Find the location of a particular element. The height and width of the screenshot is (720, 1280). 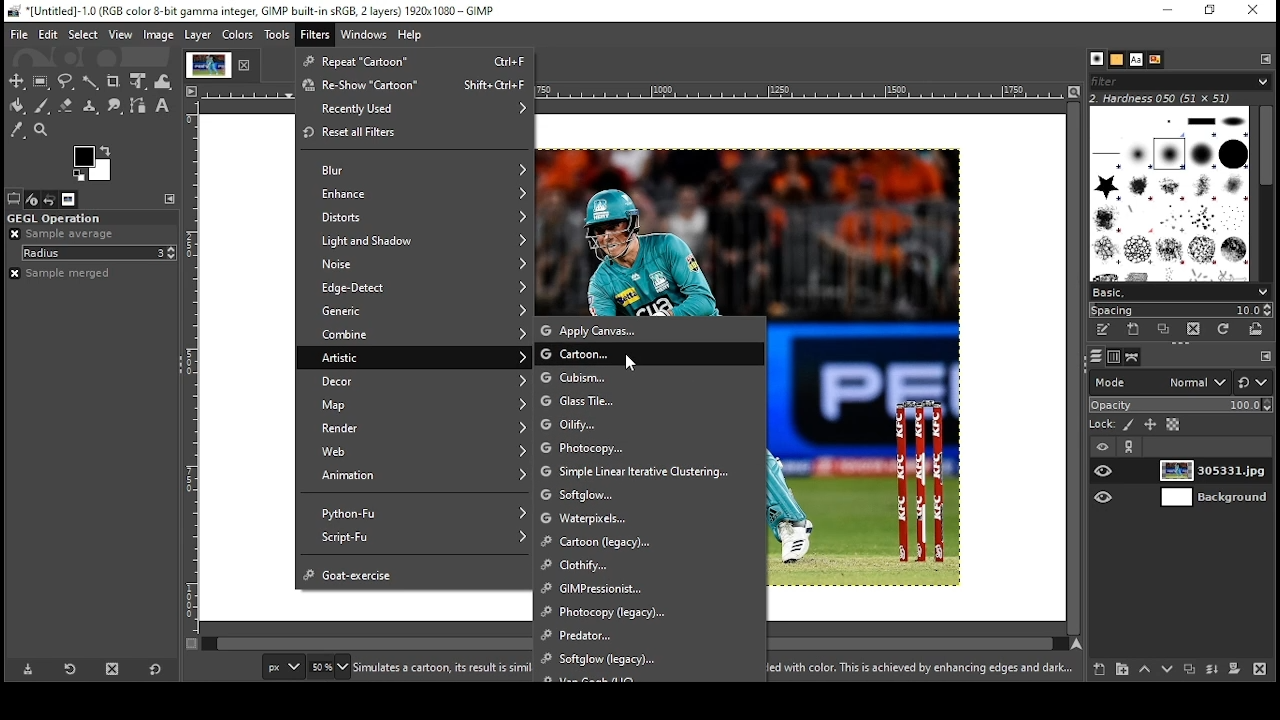

scroll bar is located at coordinates (1072, 367).